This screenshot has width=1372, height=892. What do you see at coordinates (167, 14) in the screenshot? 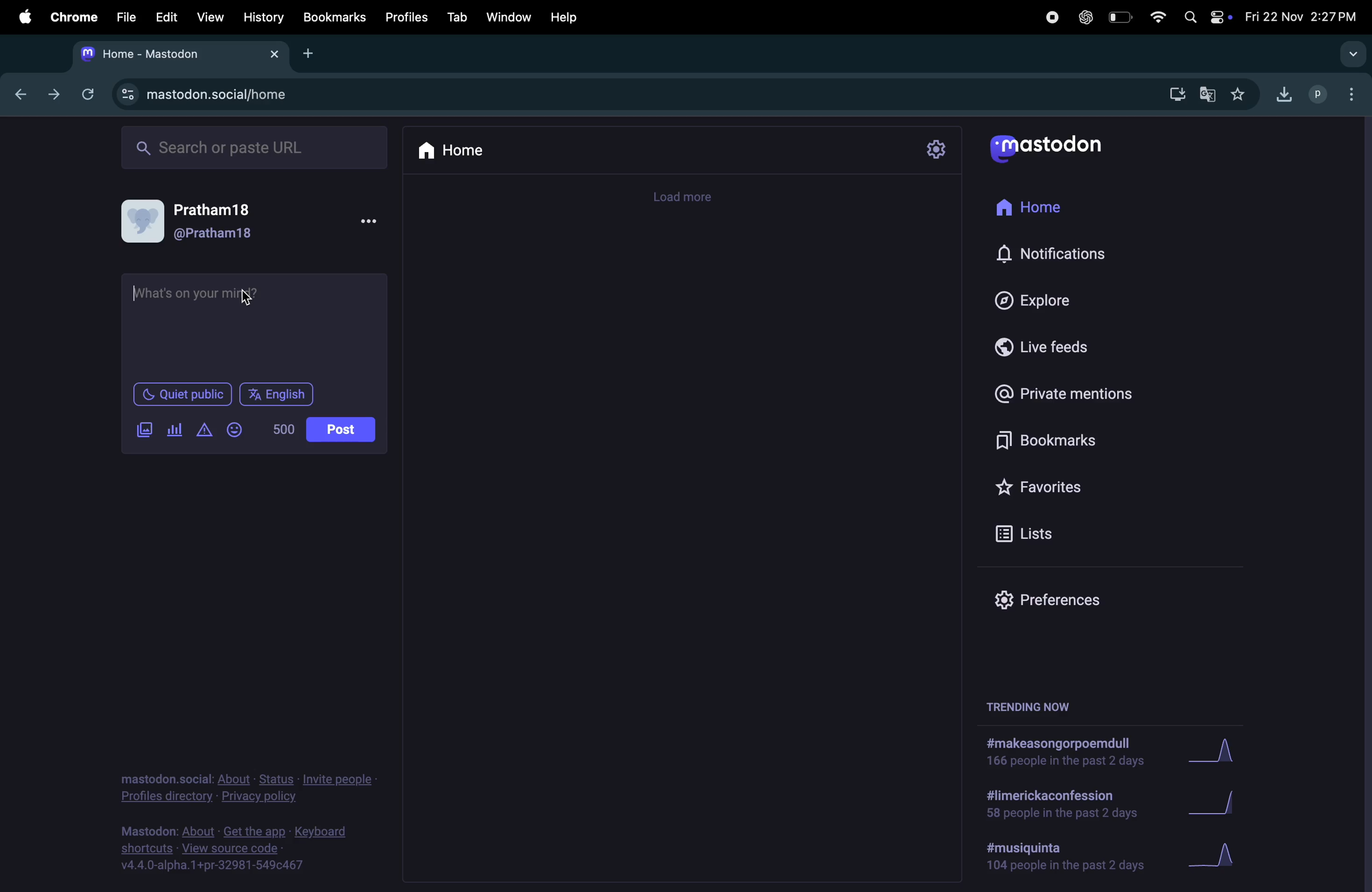
I see `edit` at bounding box center [167, 14].